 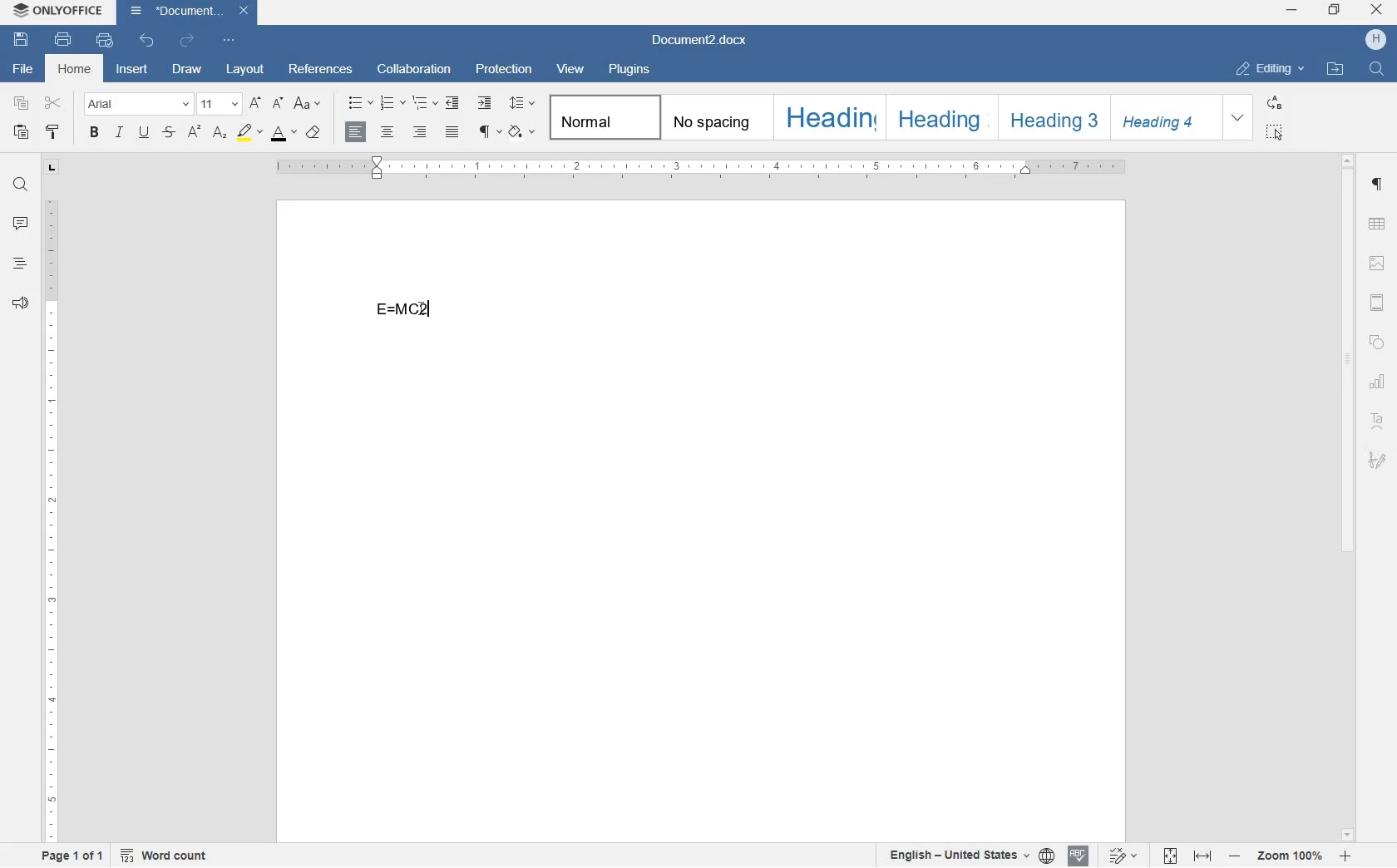 What do you see at coordinates (185, 44) in the screenshot?
I see `redo` at bounding box center [185, 44].